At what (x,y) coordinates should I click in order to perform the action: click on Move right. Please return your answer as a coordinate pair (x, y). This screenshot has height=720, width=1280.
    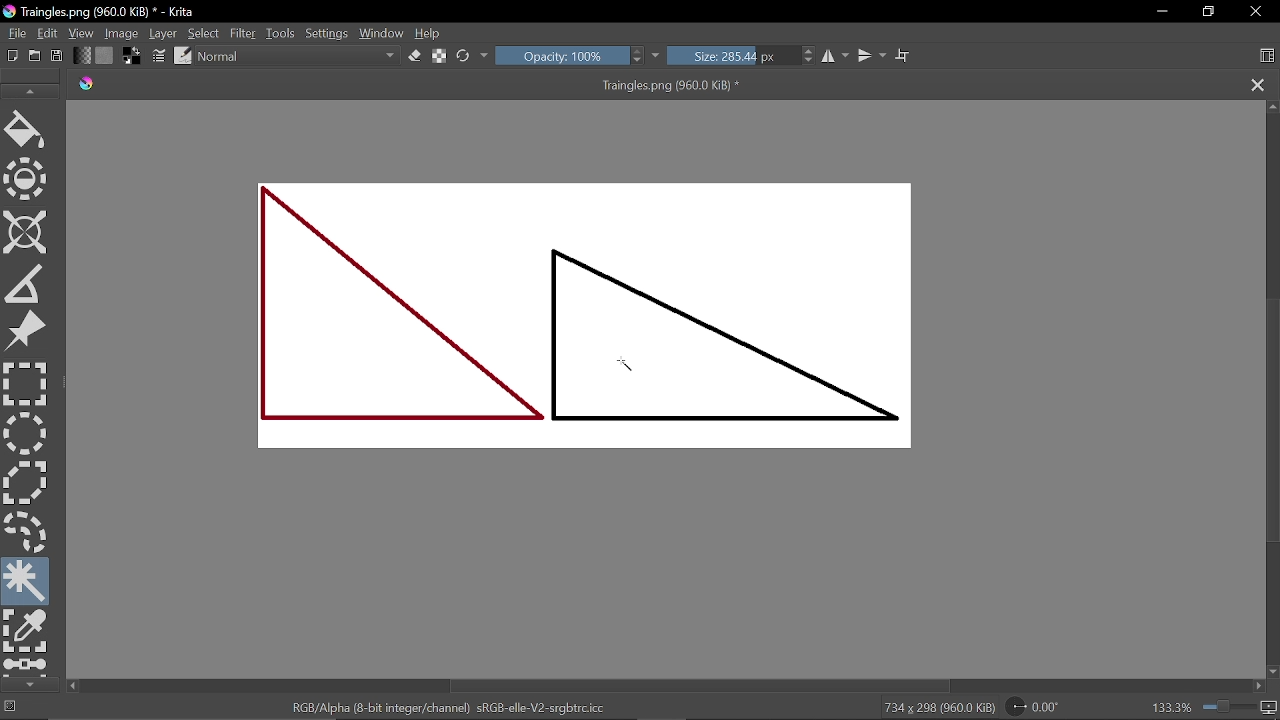
    Looking at the image, I should click on (1258, 685).